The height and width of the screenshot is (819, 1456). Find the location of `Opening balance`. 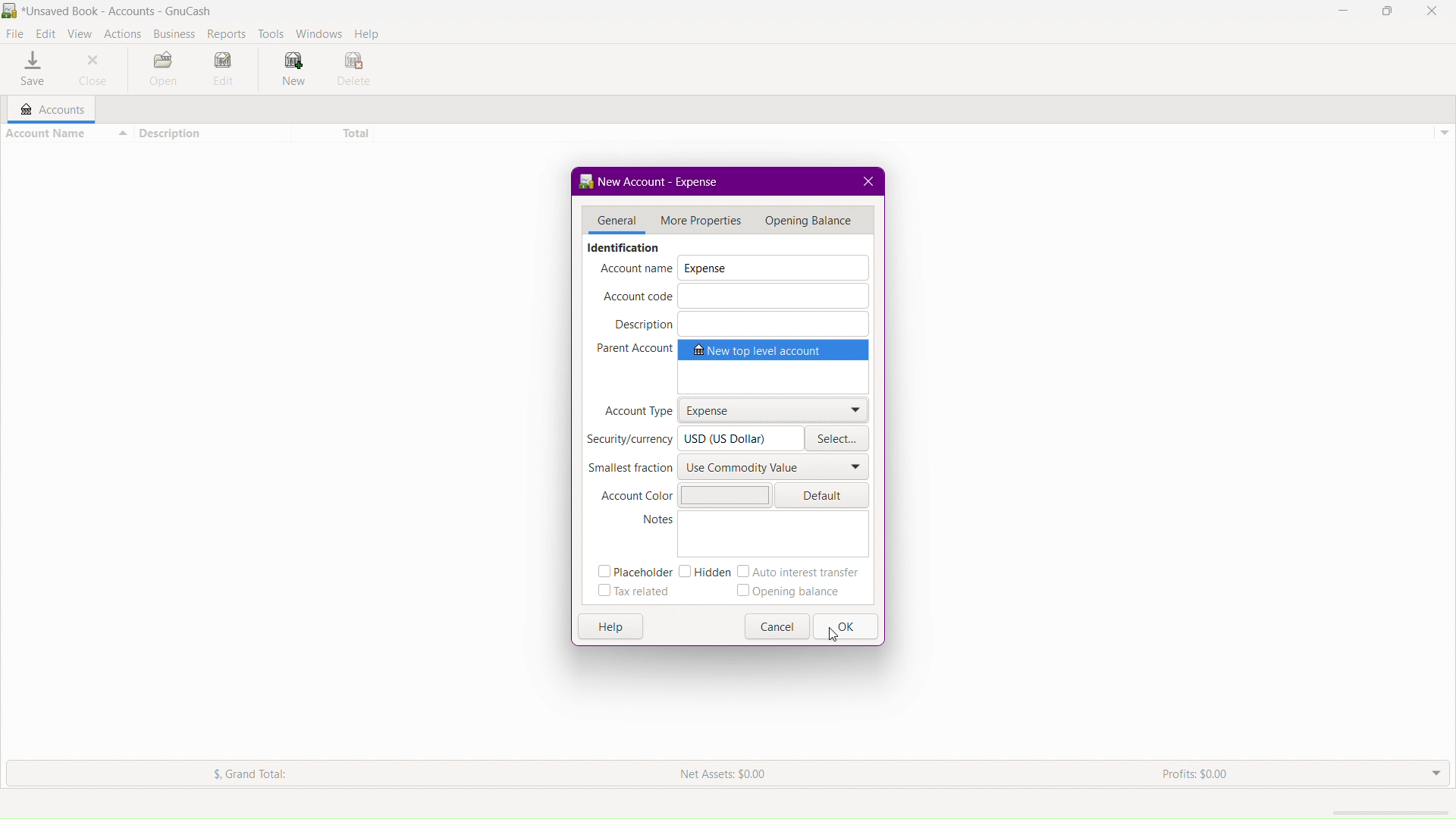

Opening balance is located at coordinates (794, 592).